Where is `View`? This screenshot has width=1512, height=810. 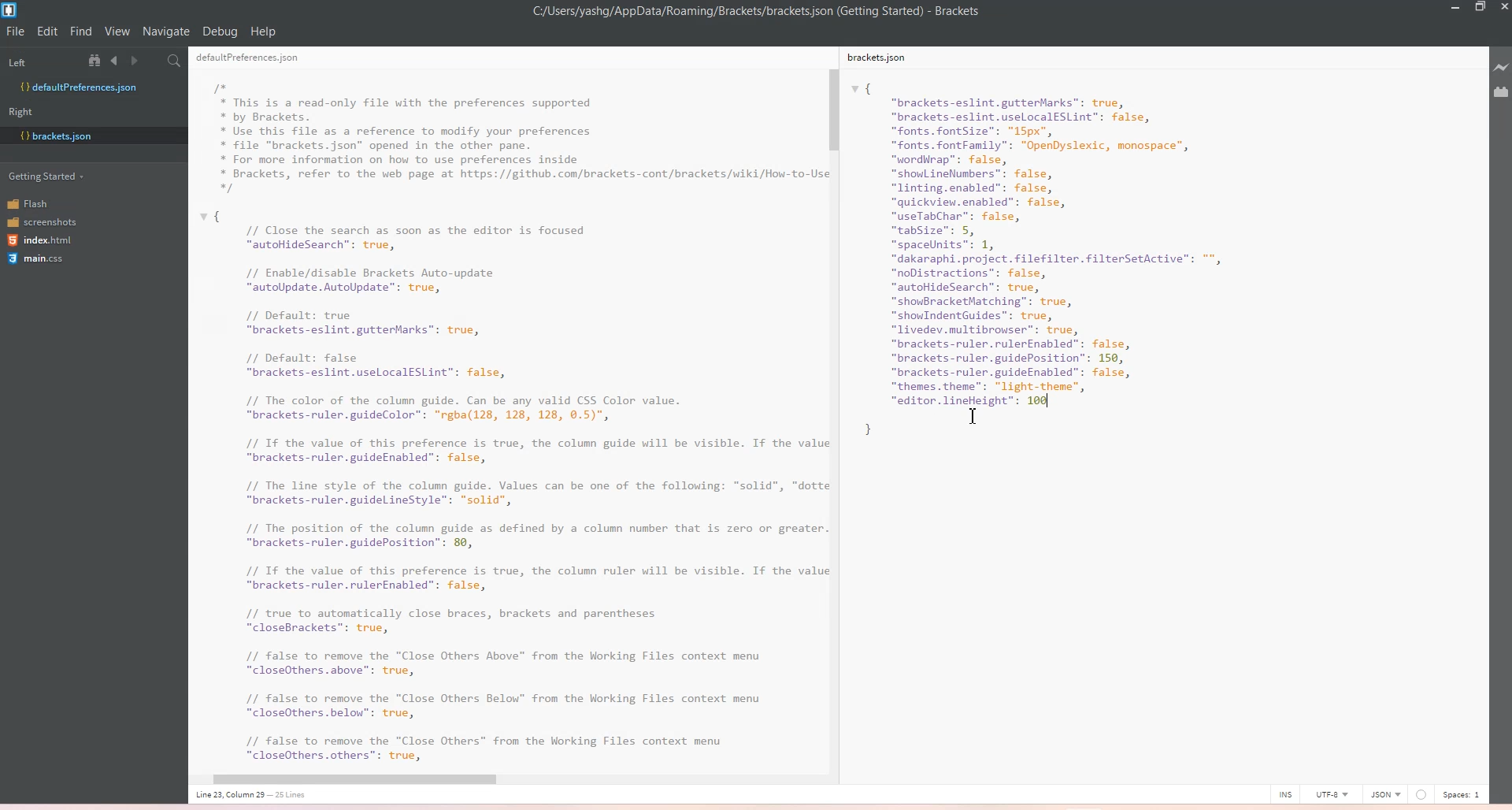 View is located at coordinates (117, 32).